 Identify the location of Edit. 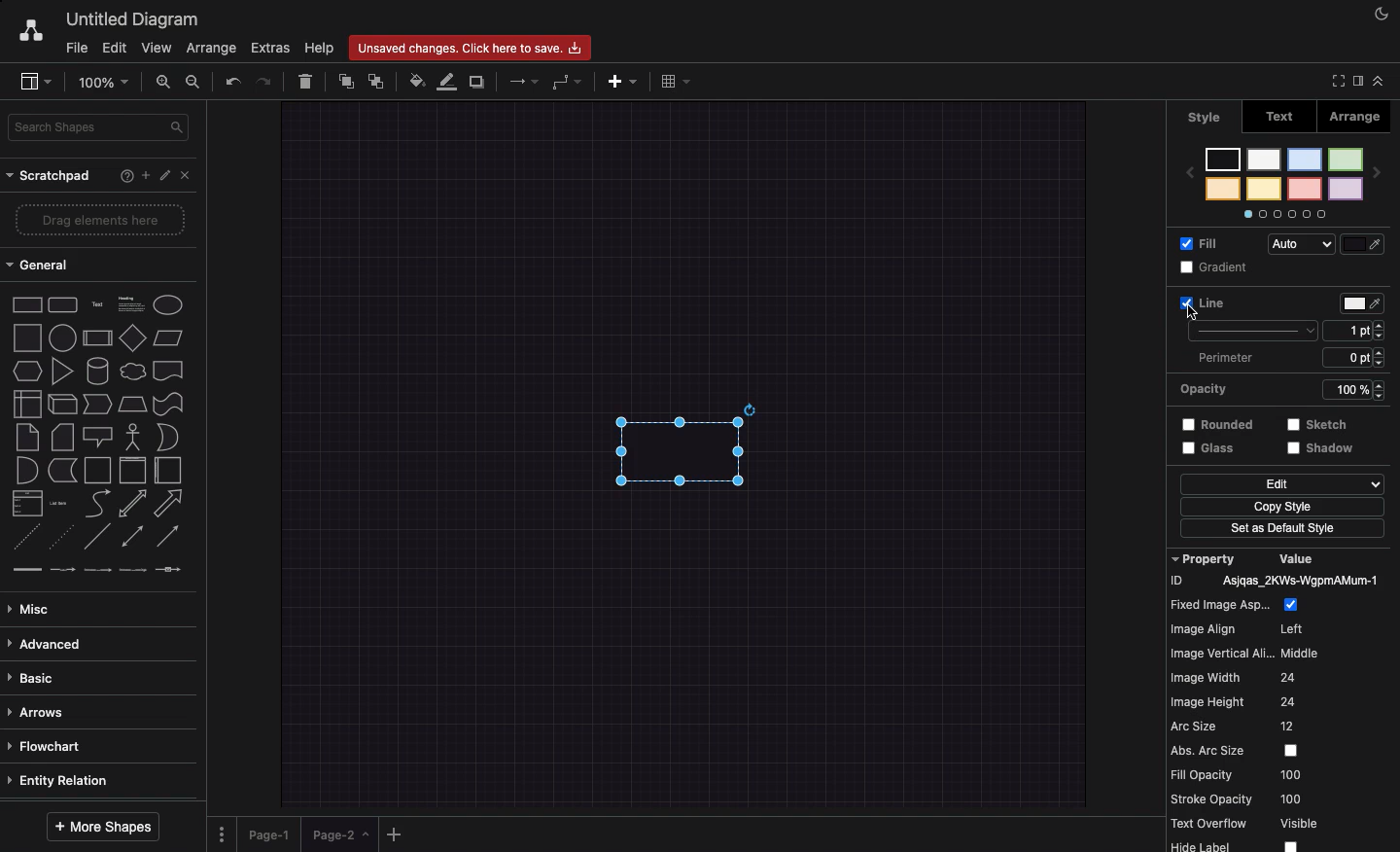
(165, 176).